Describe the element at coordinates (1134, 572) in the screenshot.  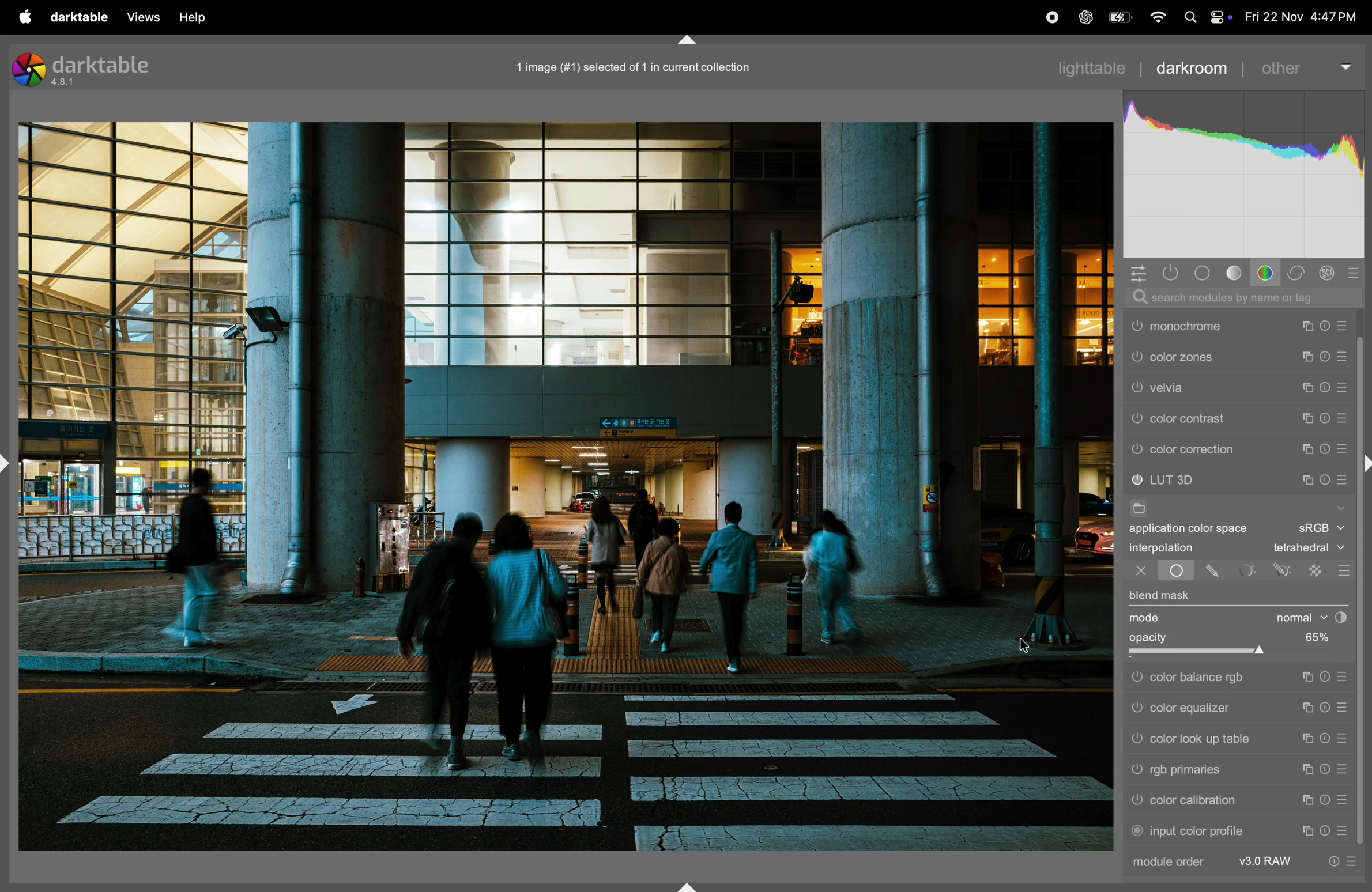
I see `close` at that location.